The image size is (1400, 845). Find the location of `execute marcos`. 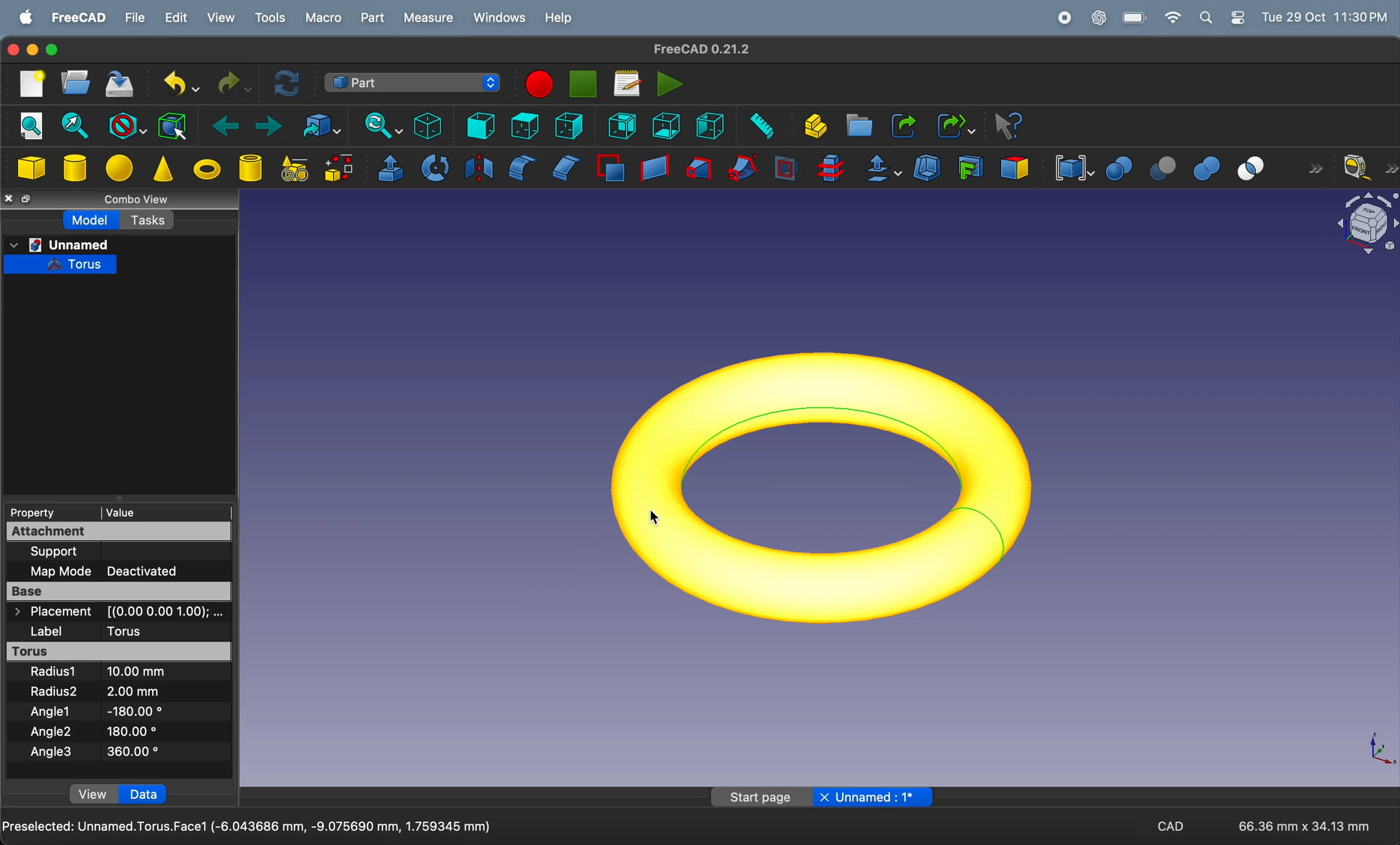

execute marcos is located at coordinates (670, 83).